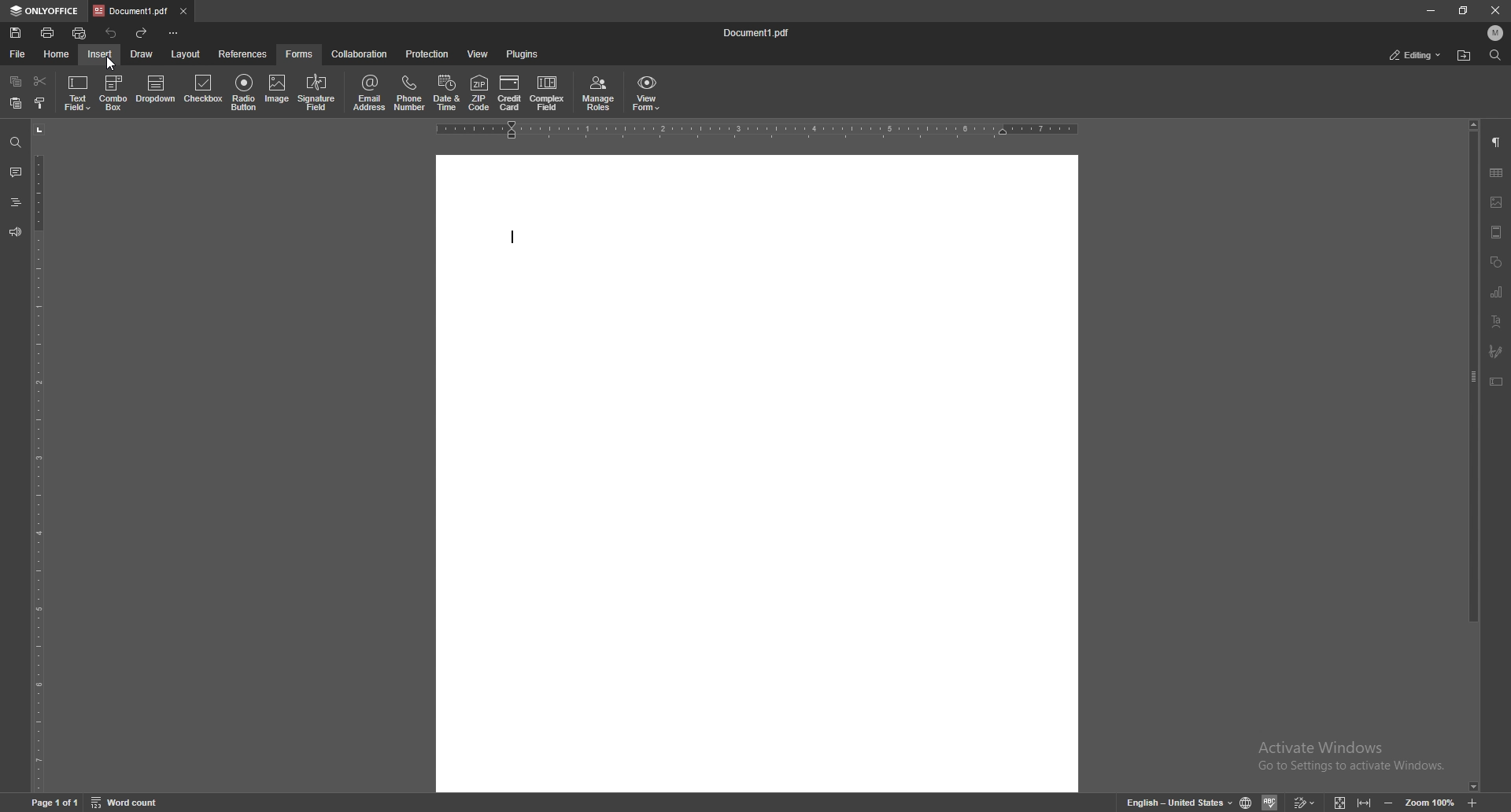  What do you see at coordinates (13, 172) in the screenshot?
I see `comments` at bounding box center [13, 172].